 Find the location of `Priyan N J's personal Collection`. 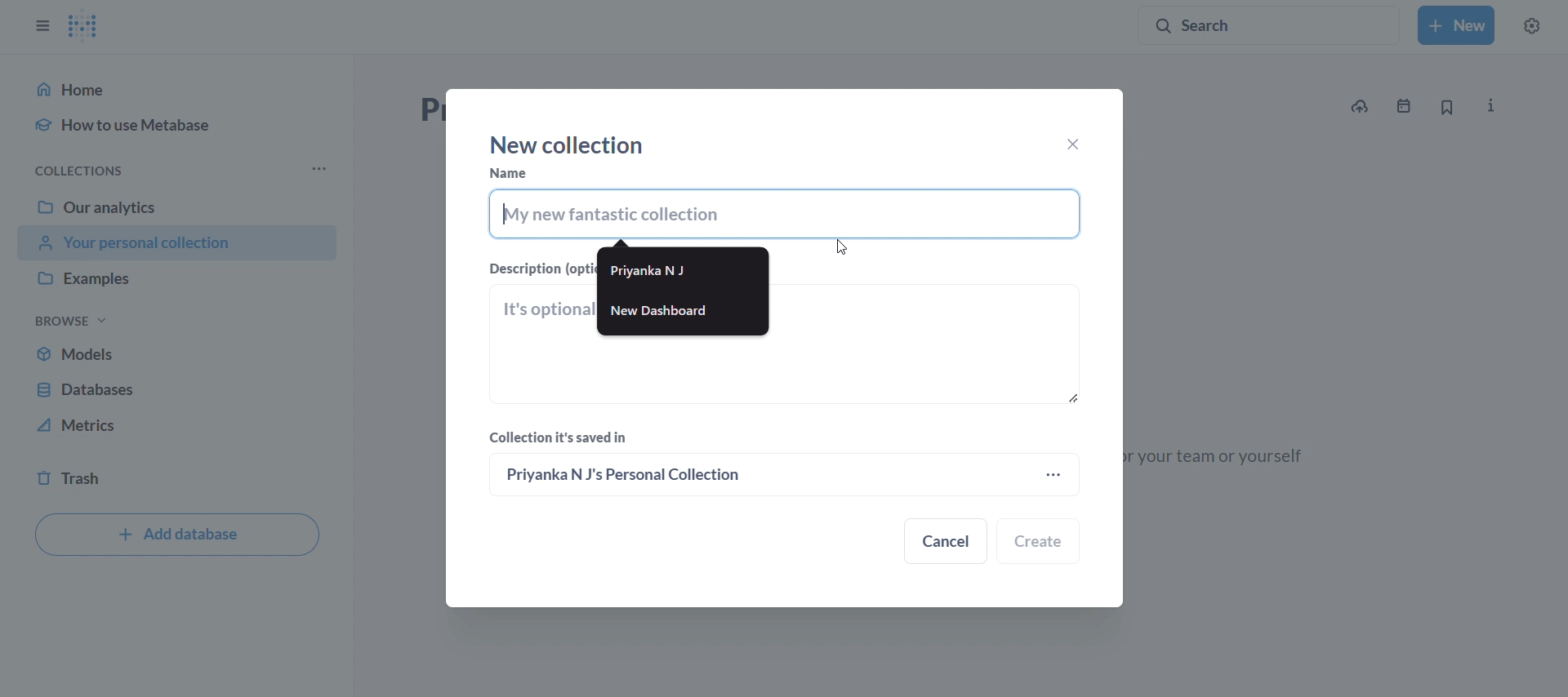

Priyan N J's personal Collection is located at coordinates (755, 473).